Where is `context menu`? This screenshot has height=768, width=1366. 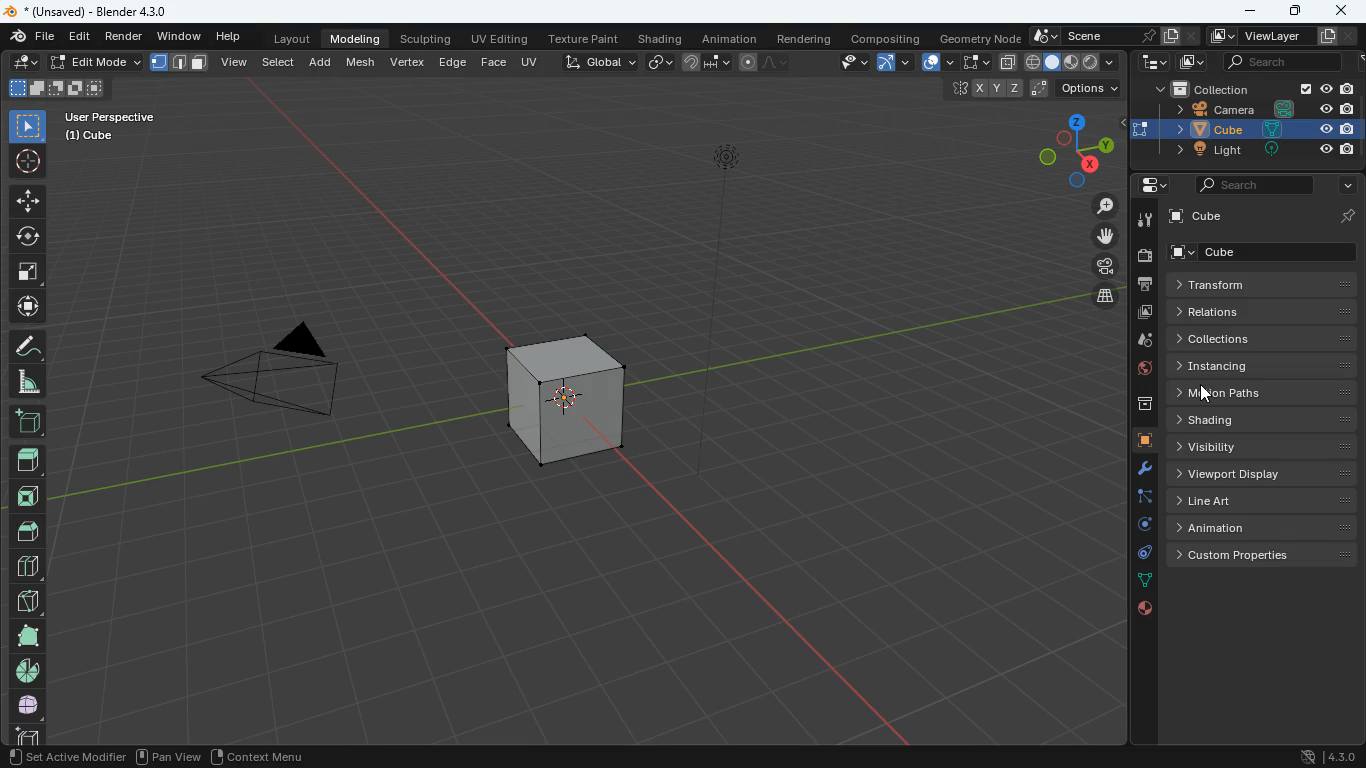
context menu is located at coordinates (259, 756).